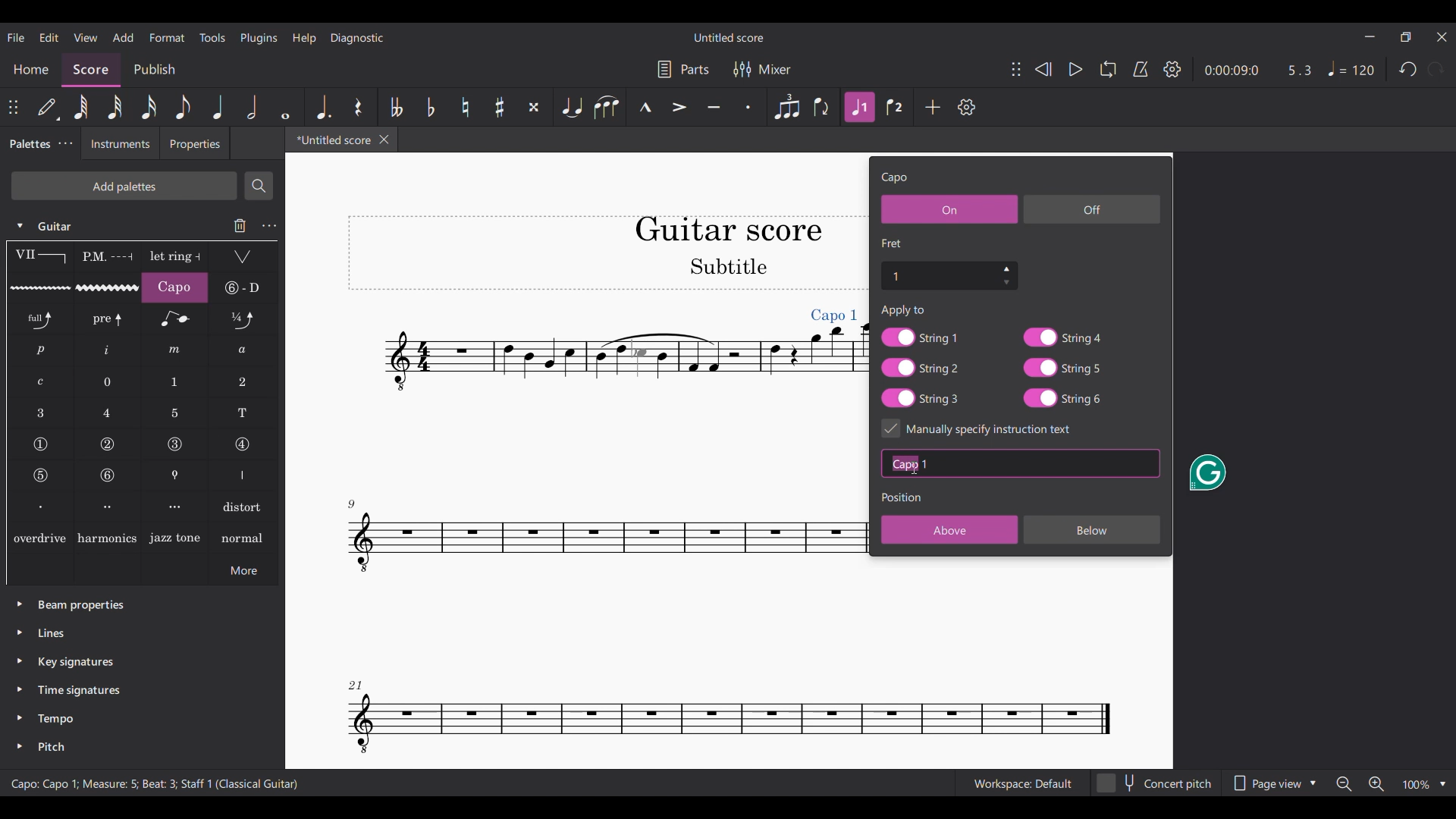 Image resolution: width=1456 pixels, height=819 pixels. What do you see at coordinates (13, 107) in the screenshot?
I see `Change position` at bounding box center [13, 107].